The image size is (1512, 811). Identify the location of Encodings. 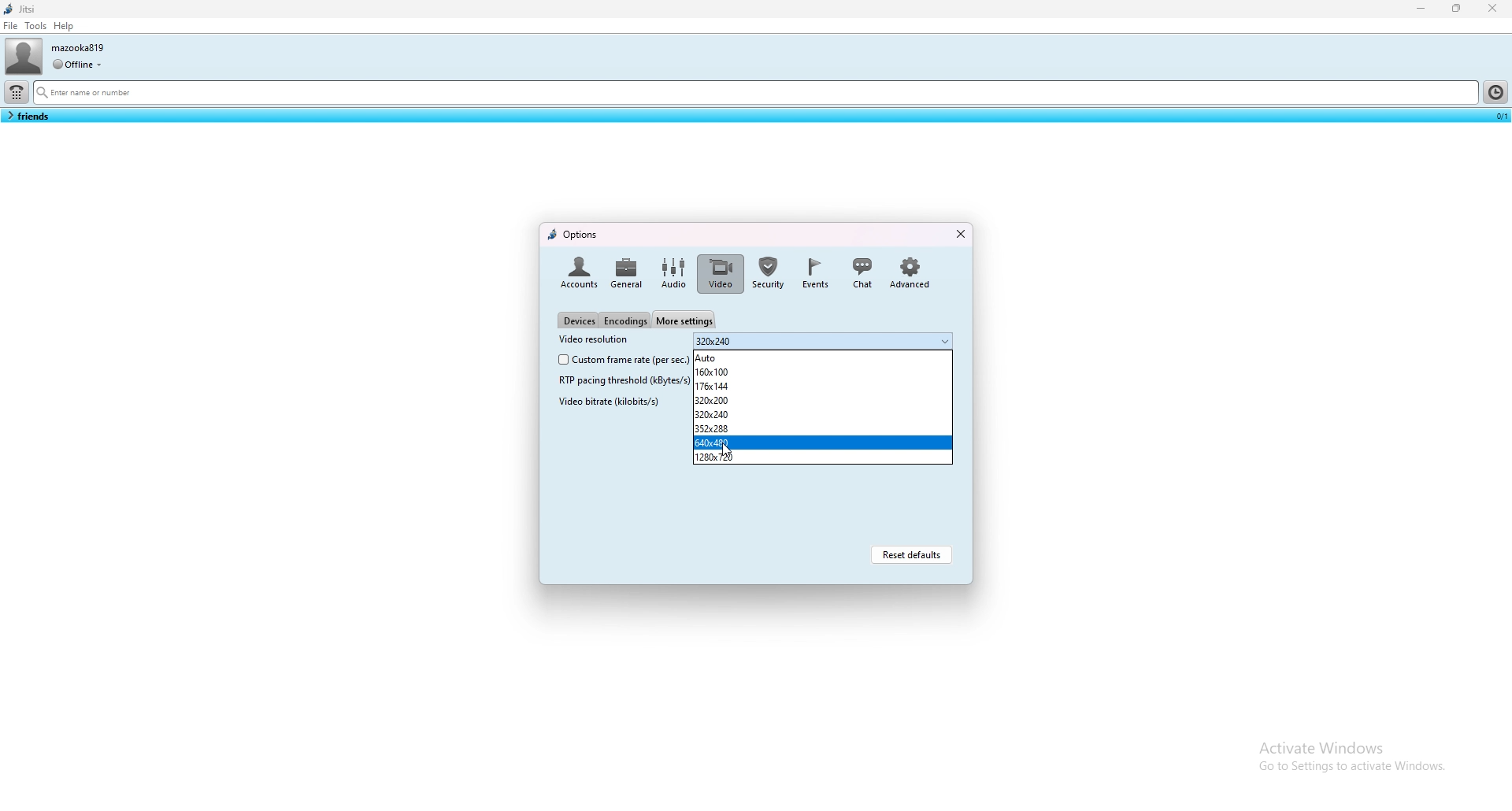
(625, 321).